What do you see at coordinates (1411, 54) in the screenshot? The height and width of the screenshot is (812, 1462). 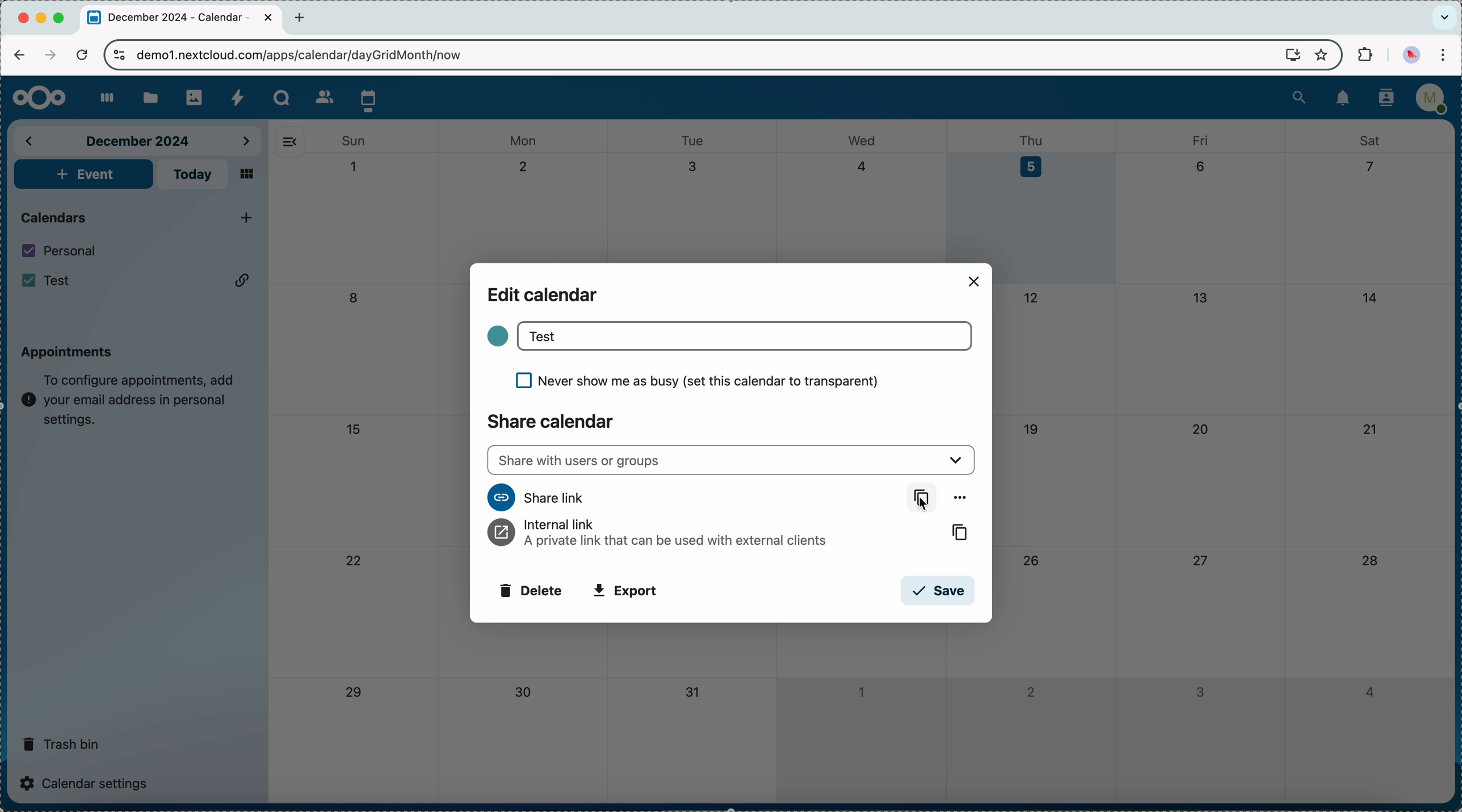 I see `profile picture` at bounding box center [1411, 54].